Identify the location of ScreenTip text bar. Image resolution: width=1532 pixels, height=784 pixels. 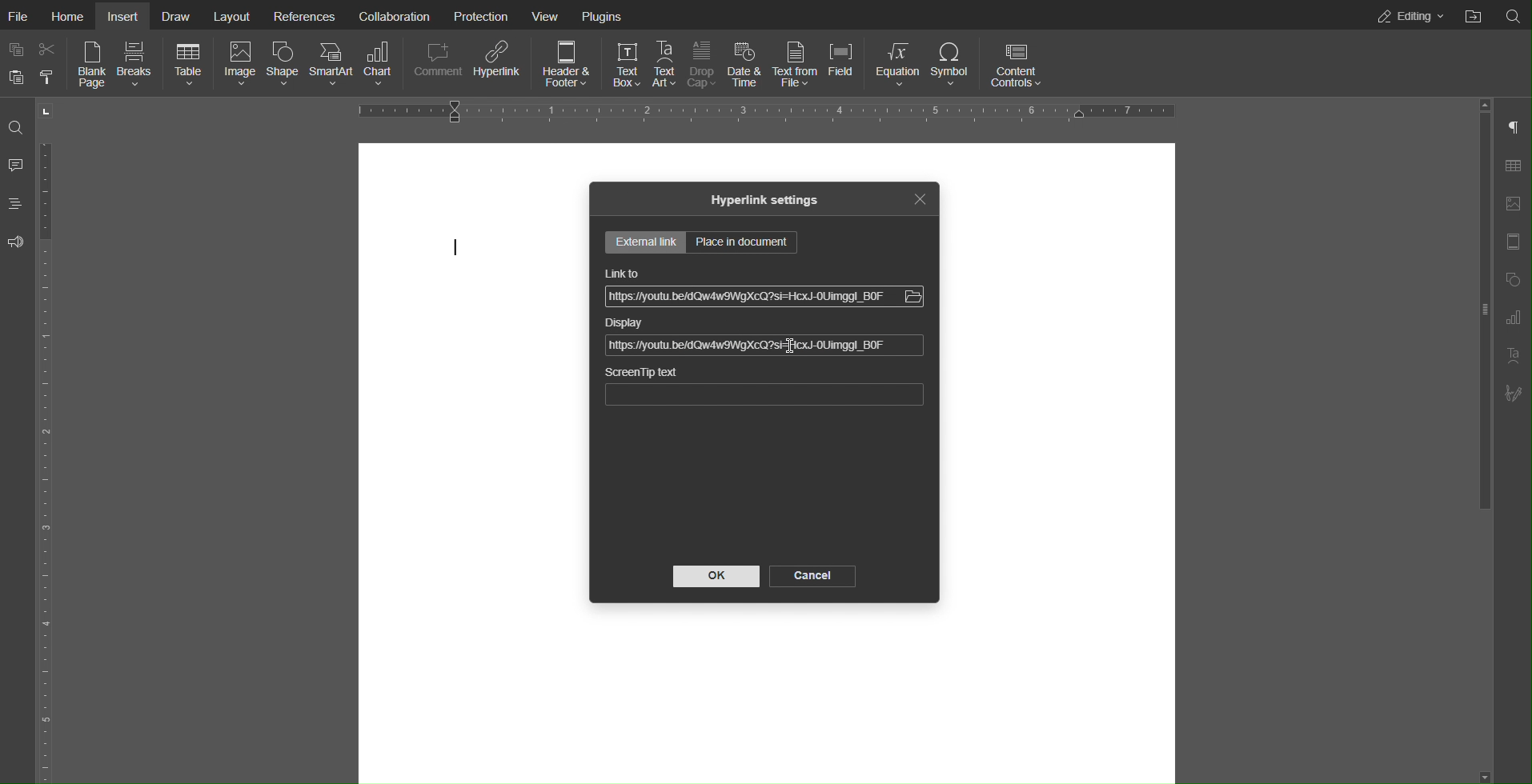
(765, 394).